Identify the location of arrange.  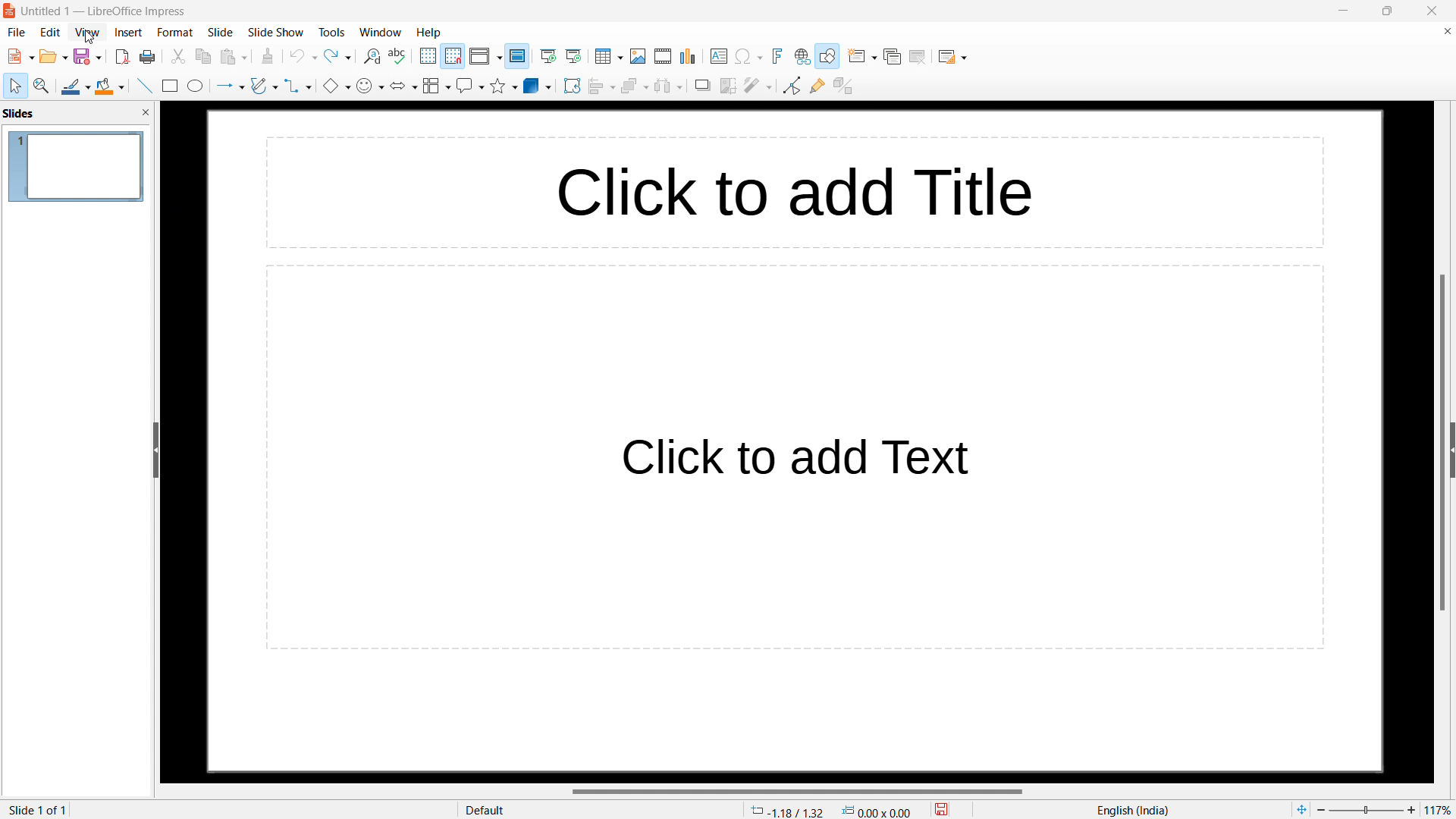
(634, 86).